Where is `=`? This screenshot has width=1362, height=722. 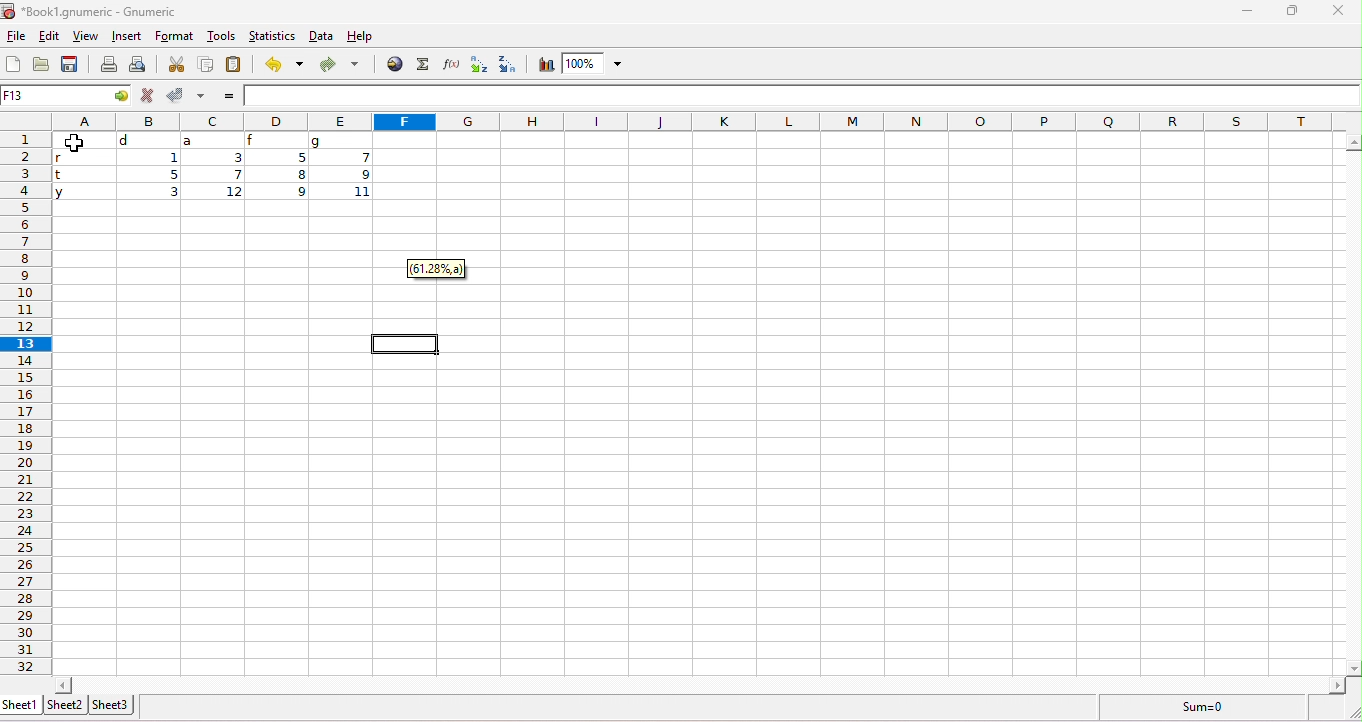 = is located at coordinates (231, 96).